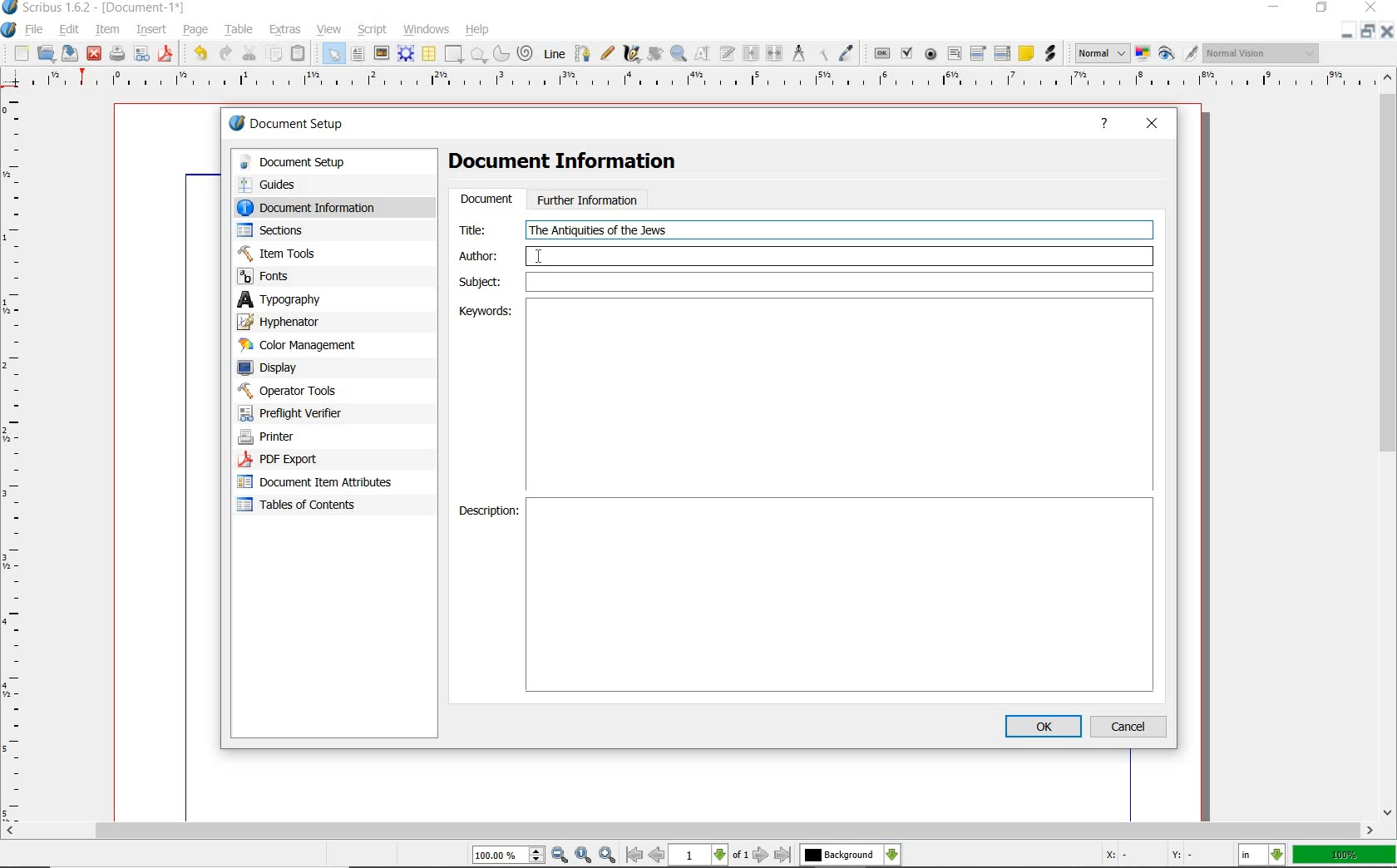 The width and height of the screenshot is (1397, 868). I want to click on close, so click(1371, 7).